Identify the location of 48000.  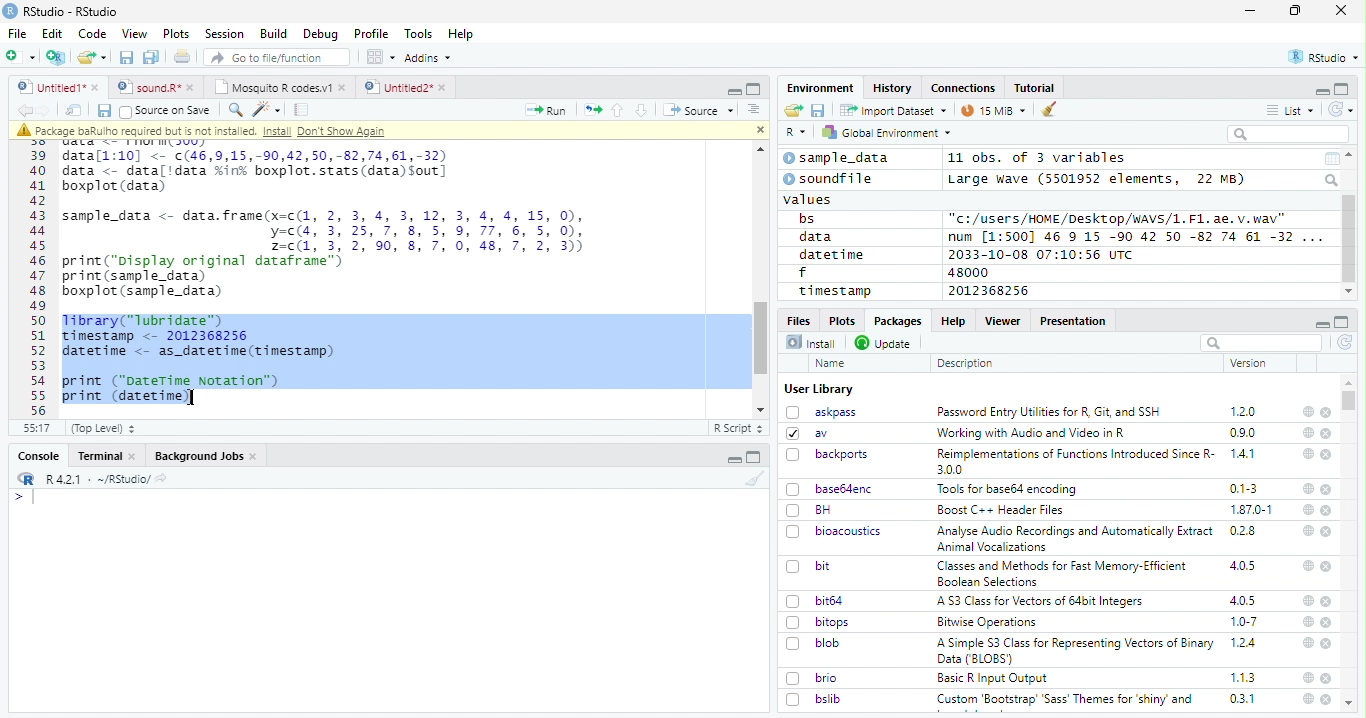
(966, 272).